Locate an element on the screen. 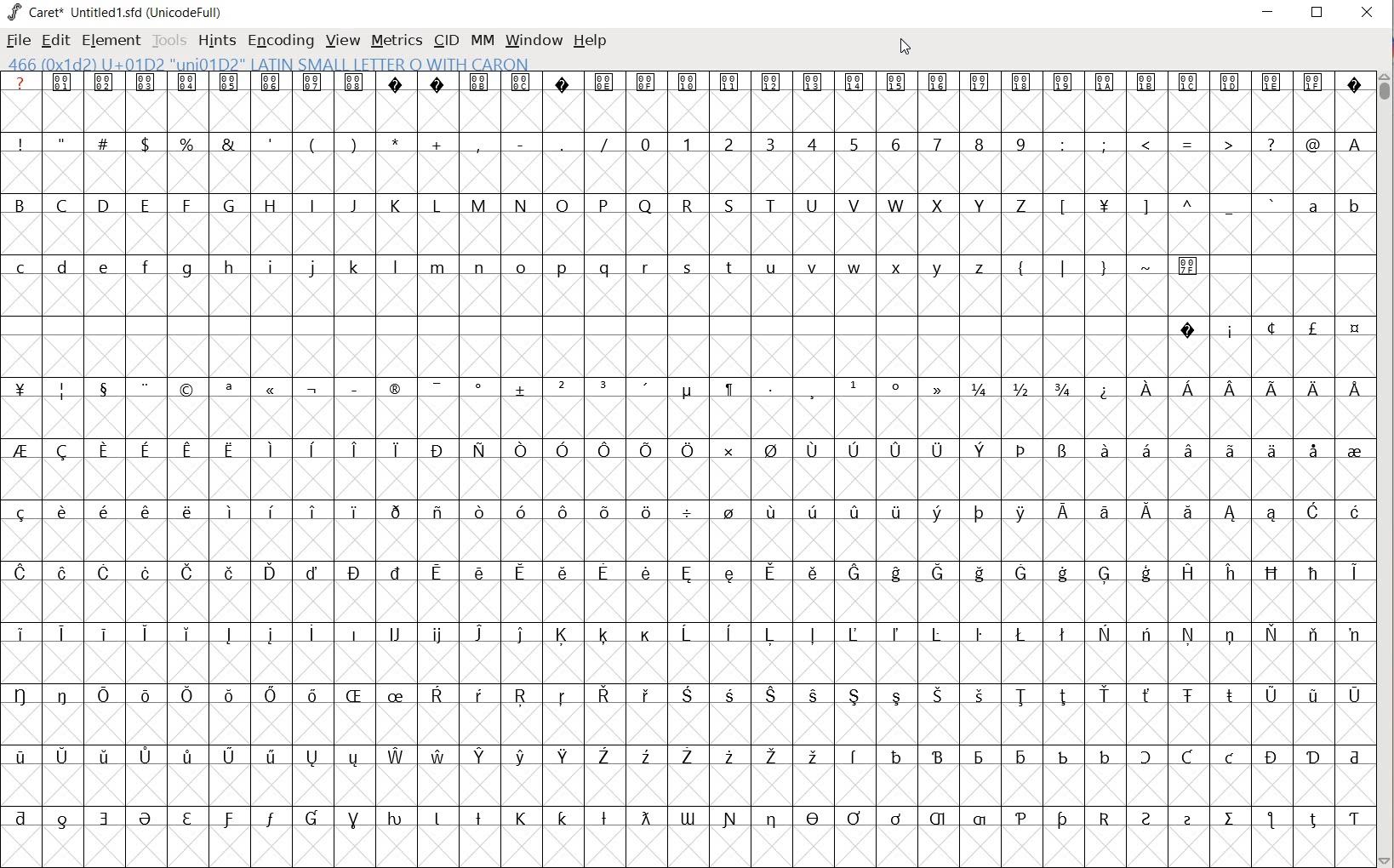 This screenshot has height=868, width=1394. MINIMIZE is located at coordinates (1269, 11).